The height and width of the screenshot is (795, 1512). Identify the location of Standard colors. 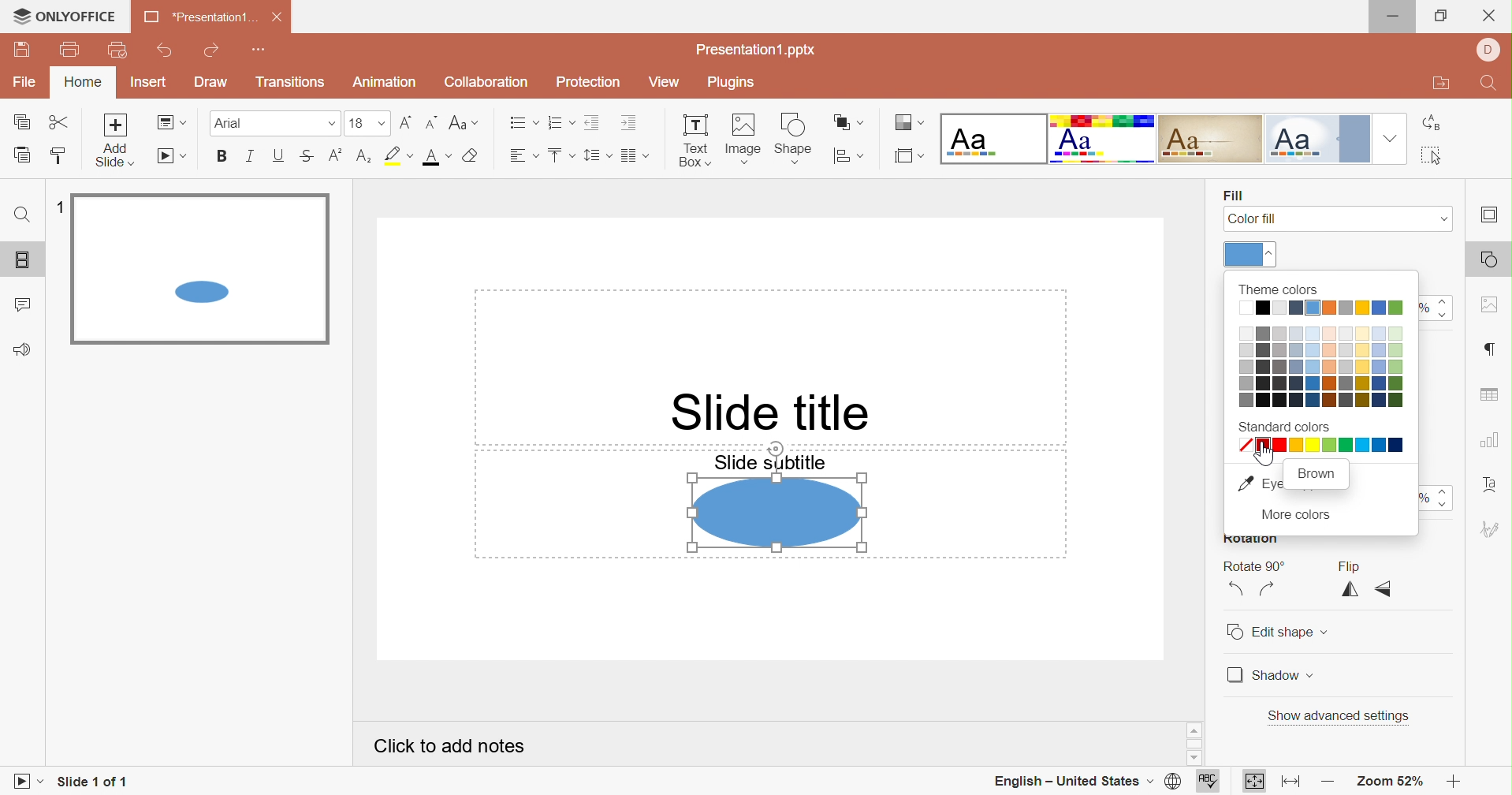
(1287, 427).